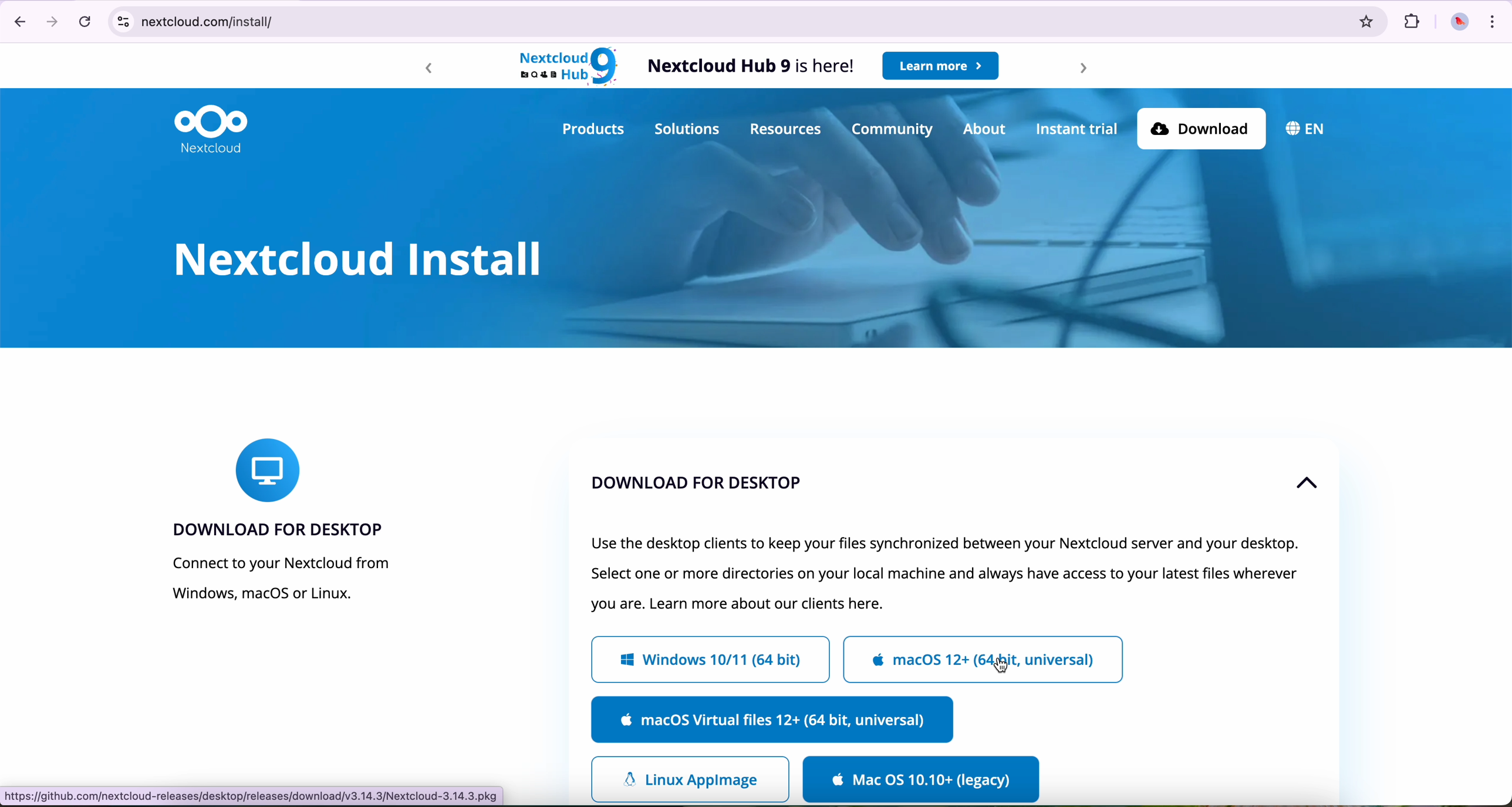  I want to click on icon, so click(268, 467).